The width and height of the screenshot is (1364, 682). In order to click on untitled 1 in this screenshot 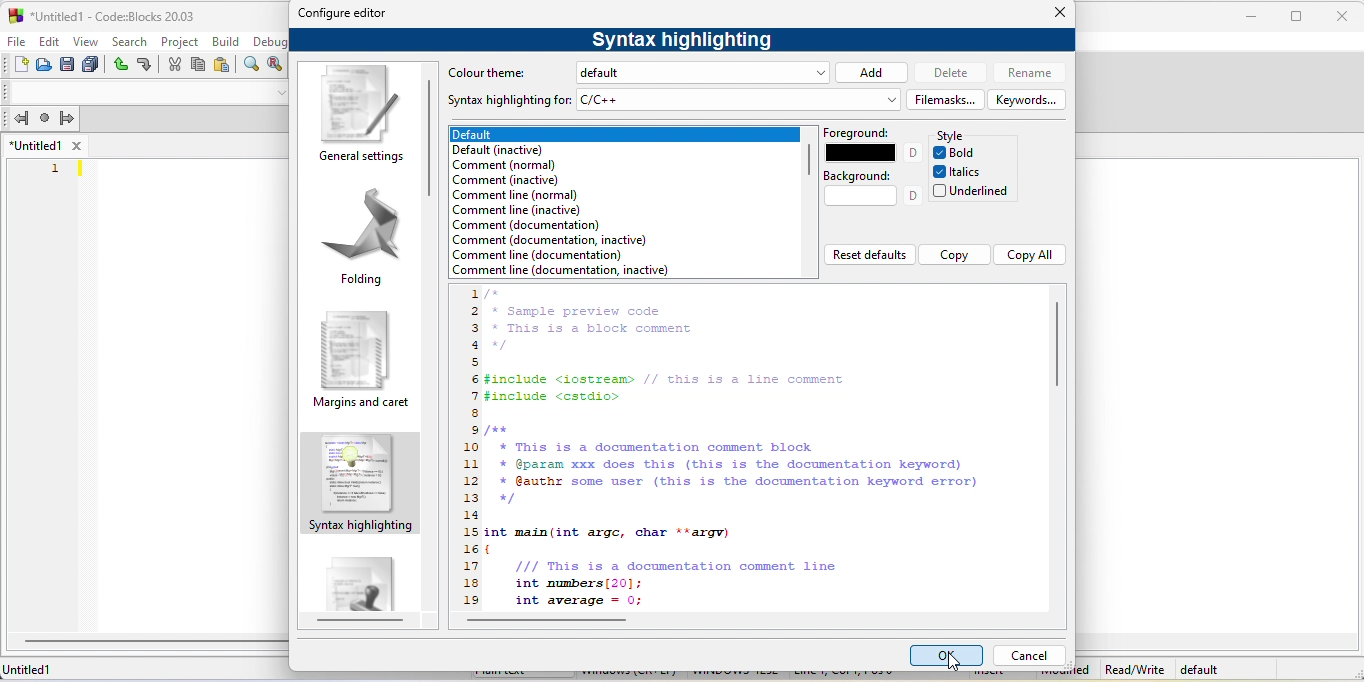, I will do `click(35, 145)`.